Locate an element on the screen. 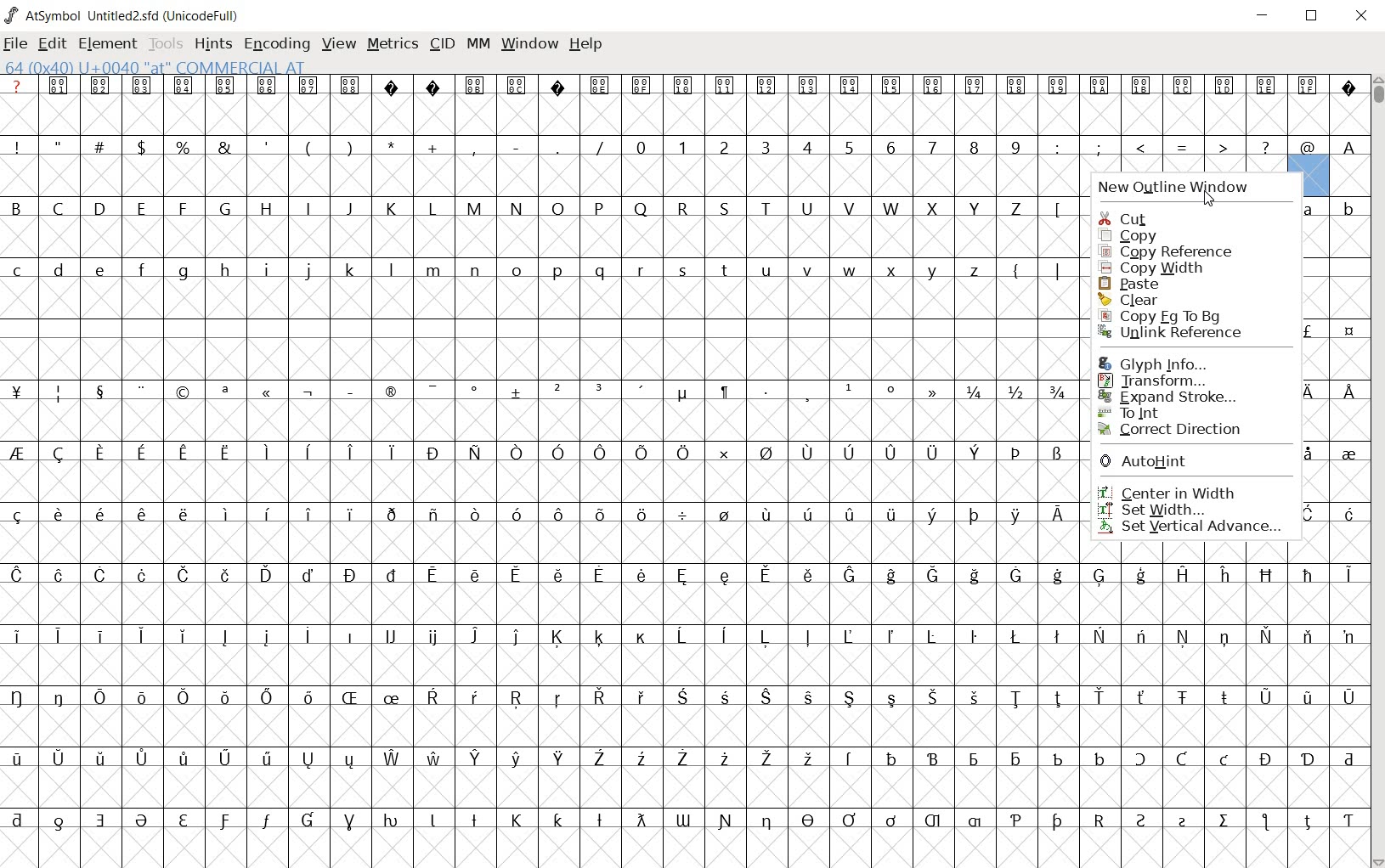 This screenshot has height=868, width=1385. EXPAND STROKE is located at coordinates (1173, 398).